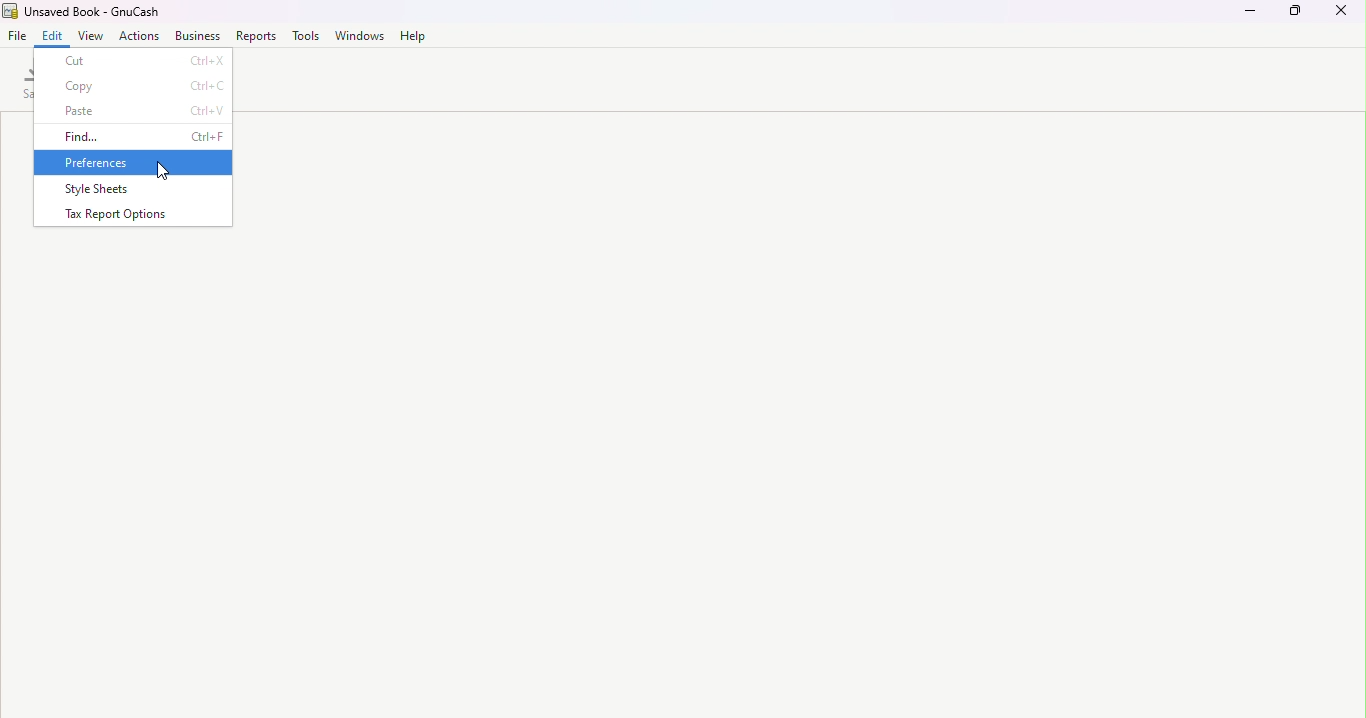 Image resolution: width=1366 pixels, height=718 pixels. I want to click on Business, so click(196, 38).